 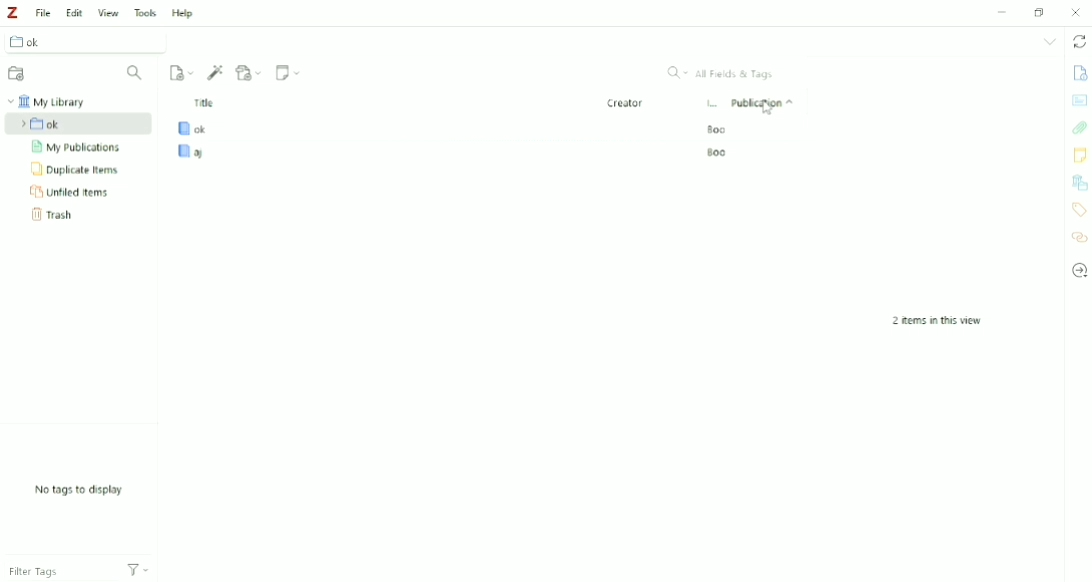 I want to click on Add Item (s) by Identifier, so click(x=215, y=73).